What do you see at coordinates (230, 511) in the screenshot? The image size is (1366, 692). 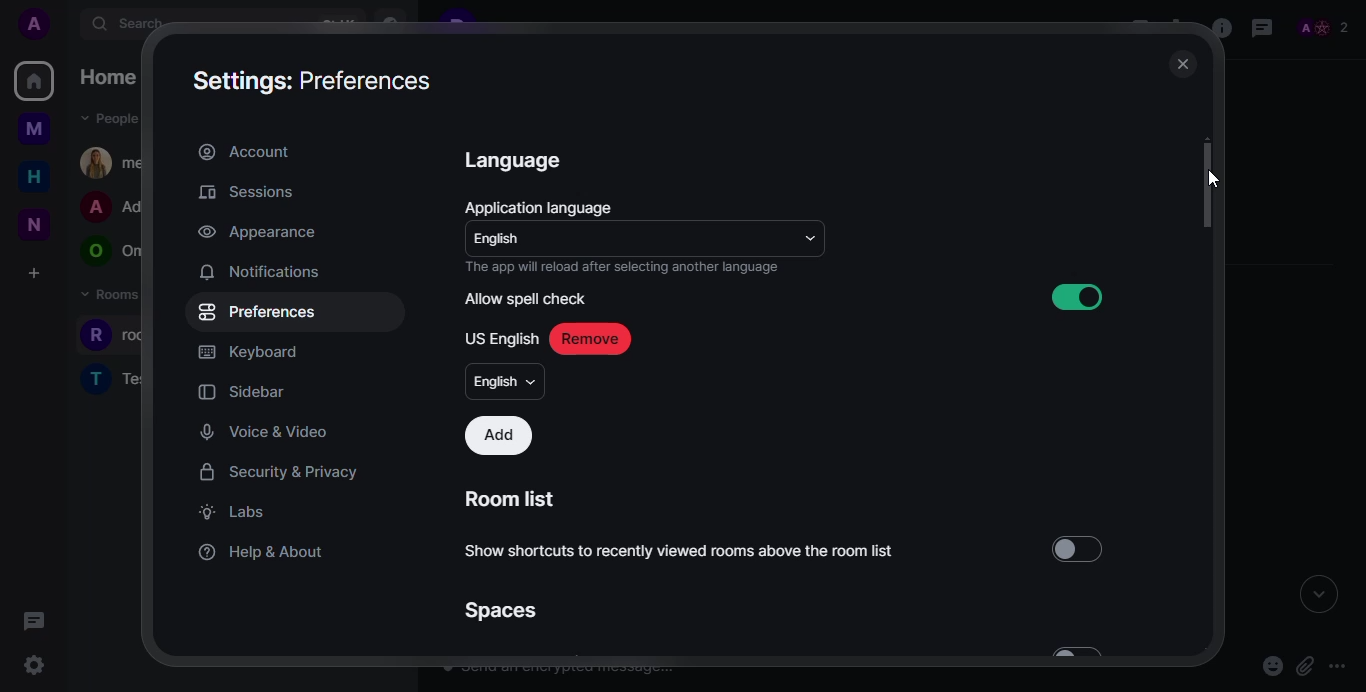 I see `labs` at bounding box center [230, 511].